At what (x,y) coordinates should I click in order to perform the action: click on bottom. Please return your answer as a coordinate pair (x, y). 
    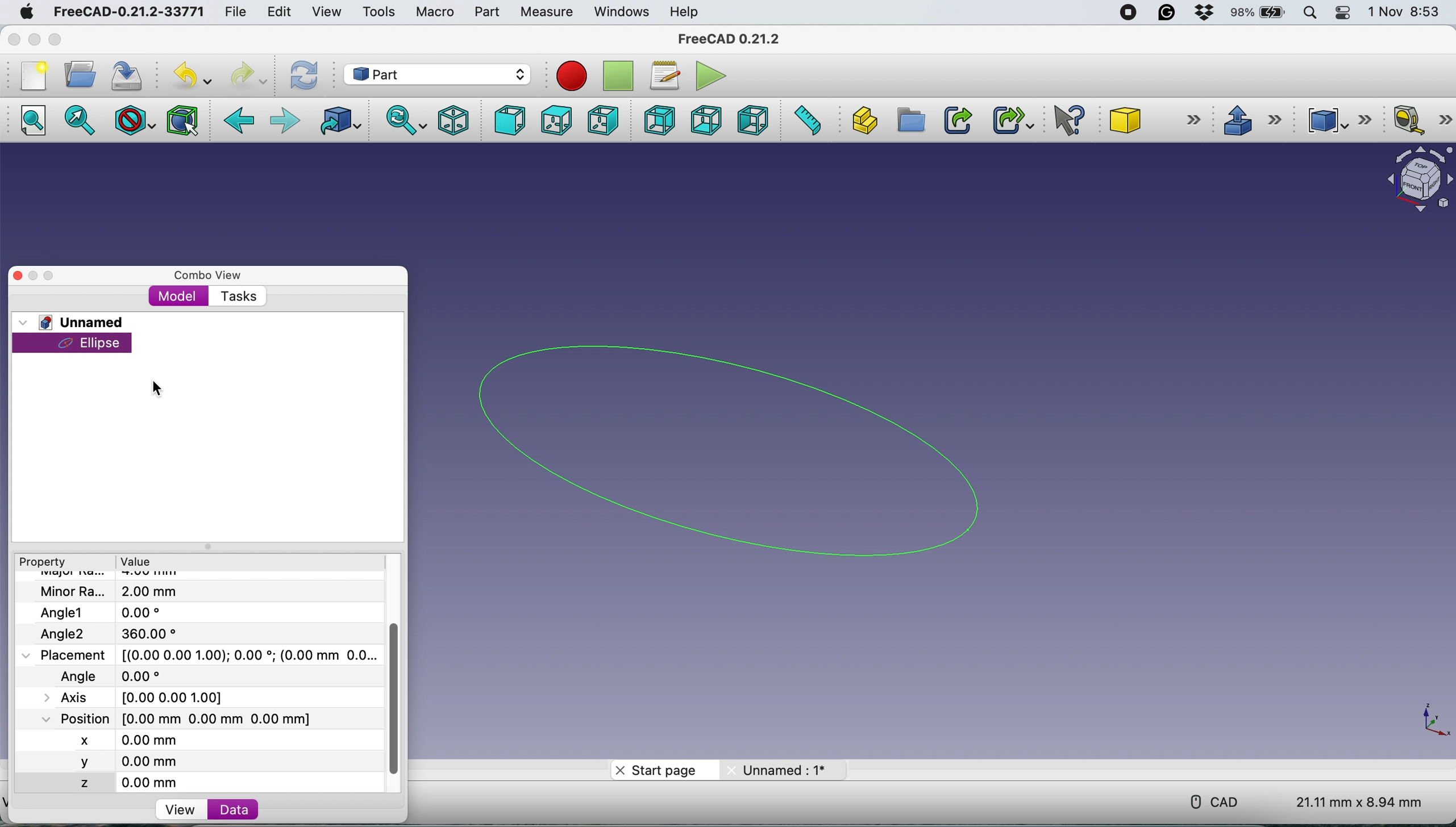
    Looking at the image, I should click on (705, 121).